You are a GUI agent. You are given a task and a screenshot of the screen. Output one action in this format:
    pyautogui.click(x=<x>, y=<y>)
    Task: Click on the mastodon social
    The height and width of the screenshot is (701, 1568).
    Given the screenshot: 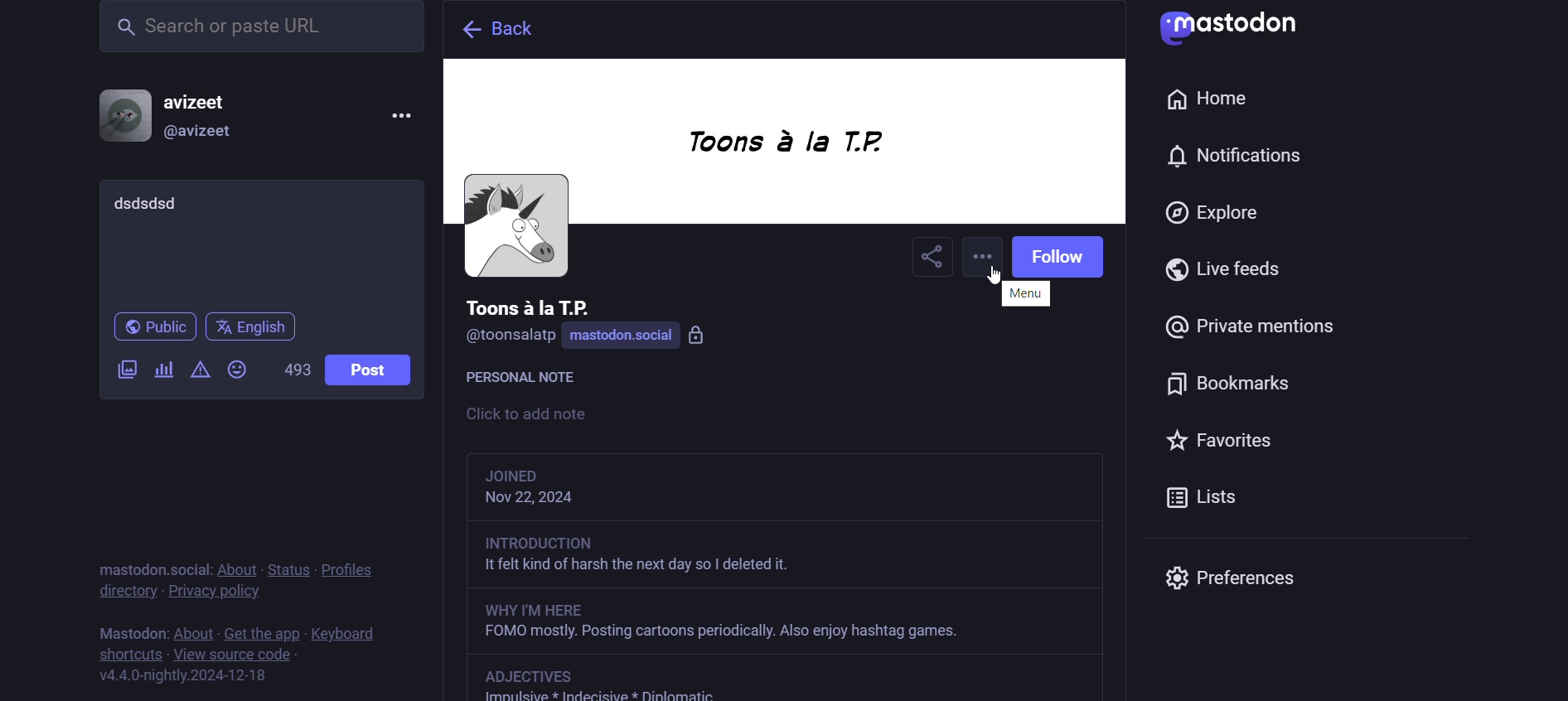 What is the action you would take?
    pyautogui.click(x=645, y=336)
    